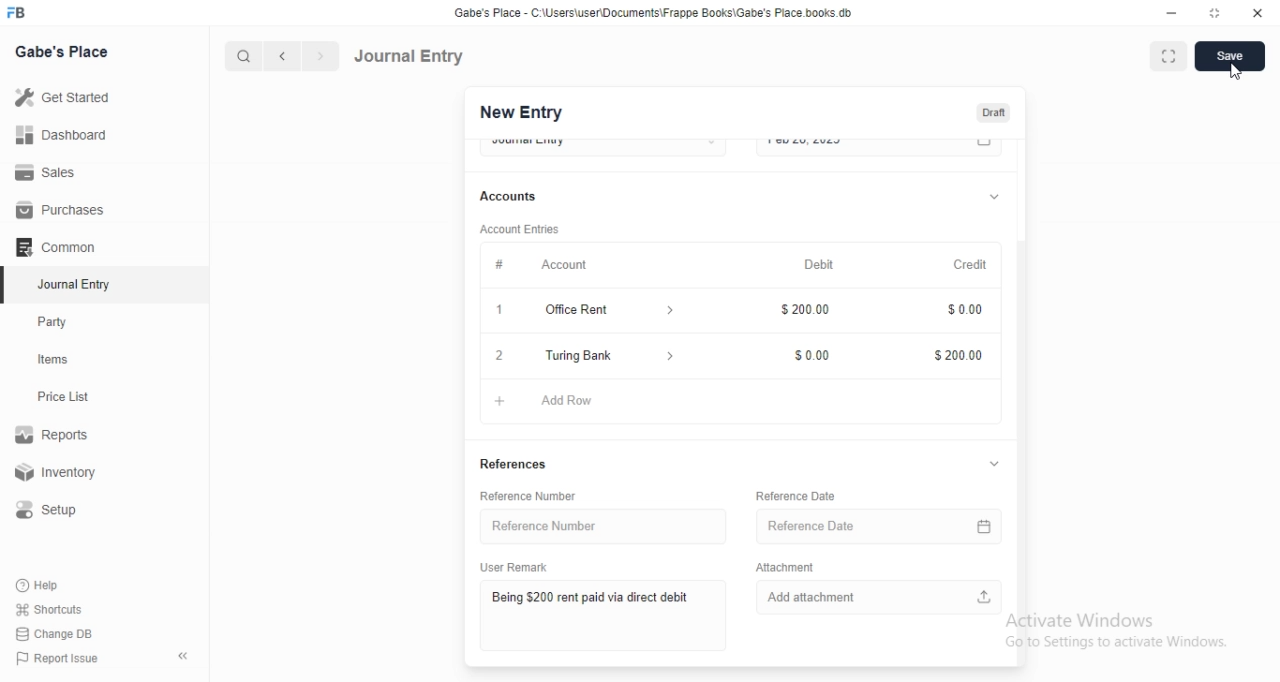  Describe the element at coordinates (49, 247) in the screenshot. I see `Comman` at that location.